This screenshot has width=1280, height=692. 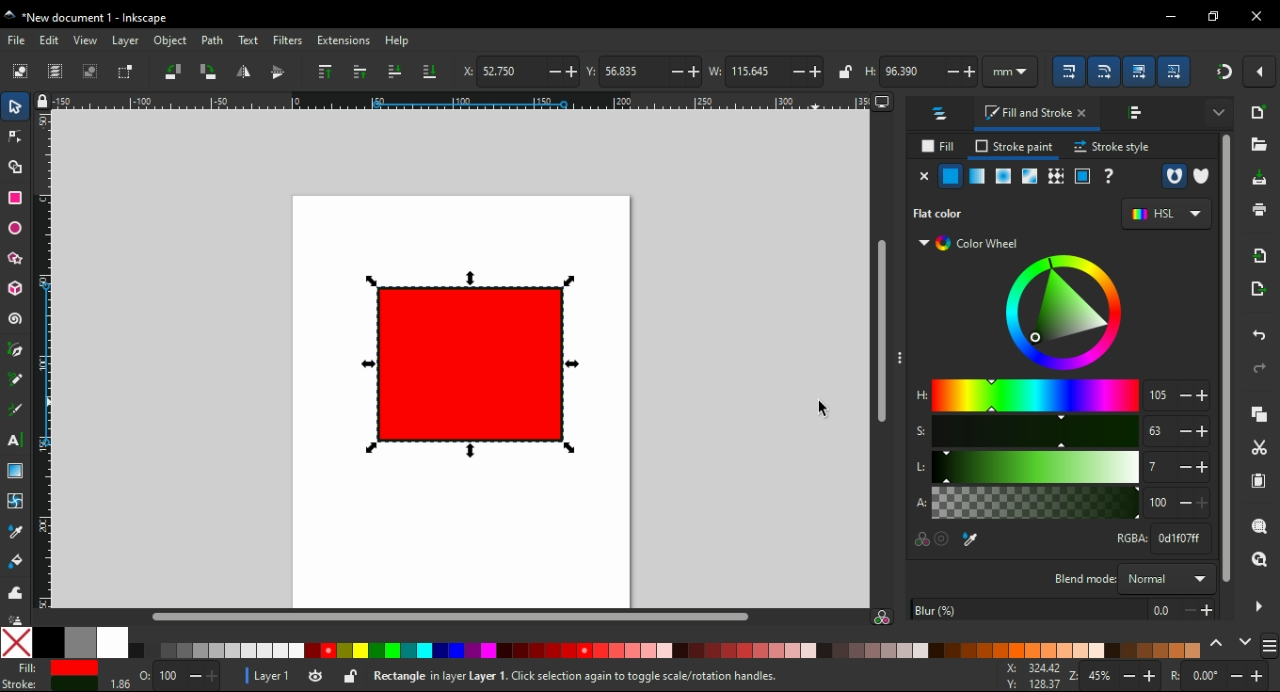 What do you see at coordinates (1172, 675) in the screenshot?
I see `rotation` at bounding box center [1172, 675].